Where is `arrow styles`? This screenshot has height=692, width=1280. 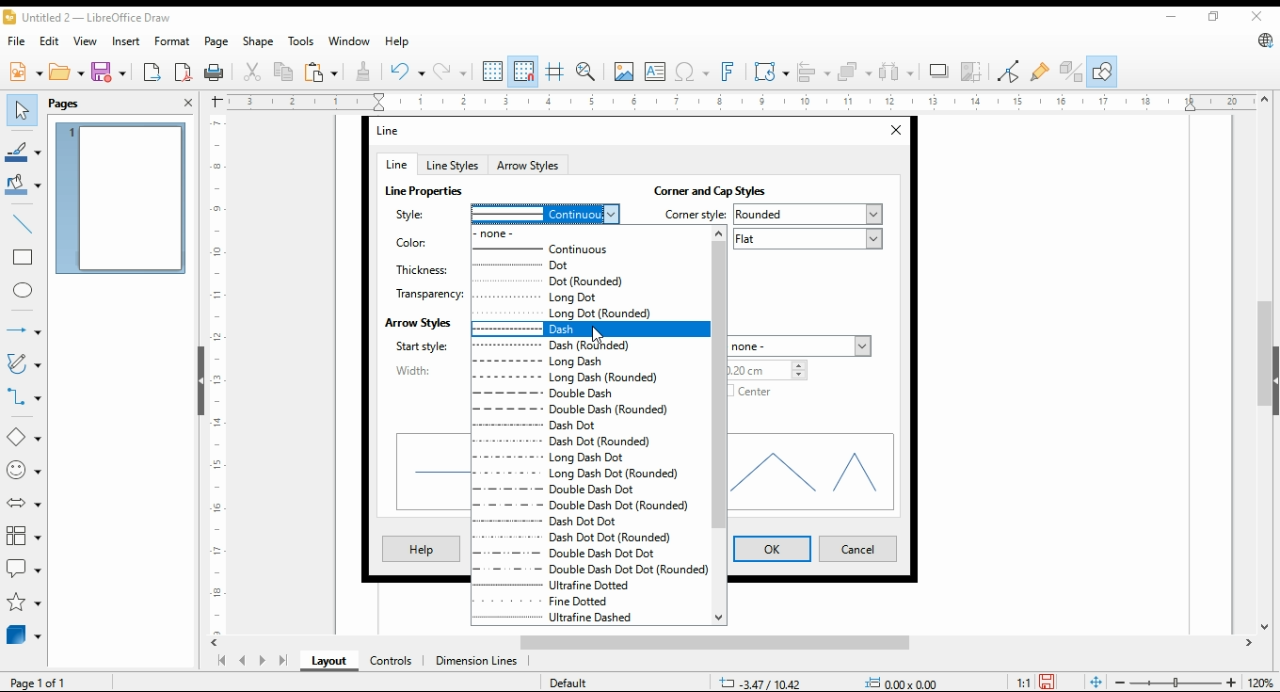 arrow styles is located at coordinates (418, 321).